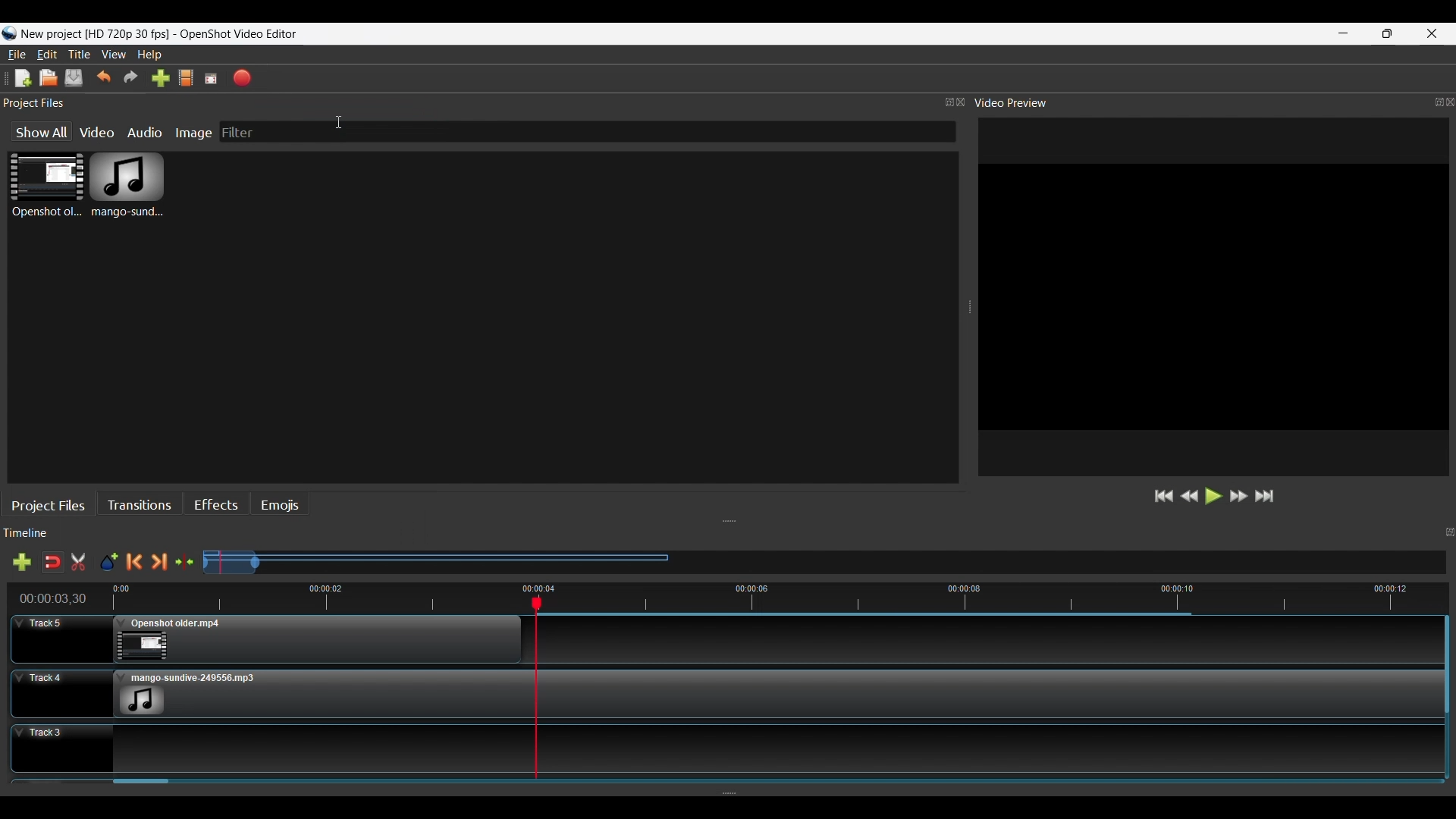 The width and height of the screenshot is (1456, 819). Describe the element at coordinates (994, 694) in the screenshot. I see `track 4` at that location.